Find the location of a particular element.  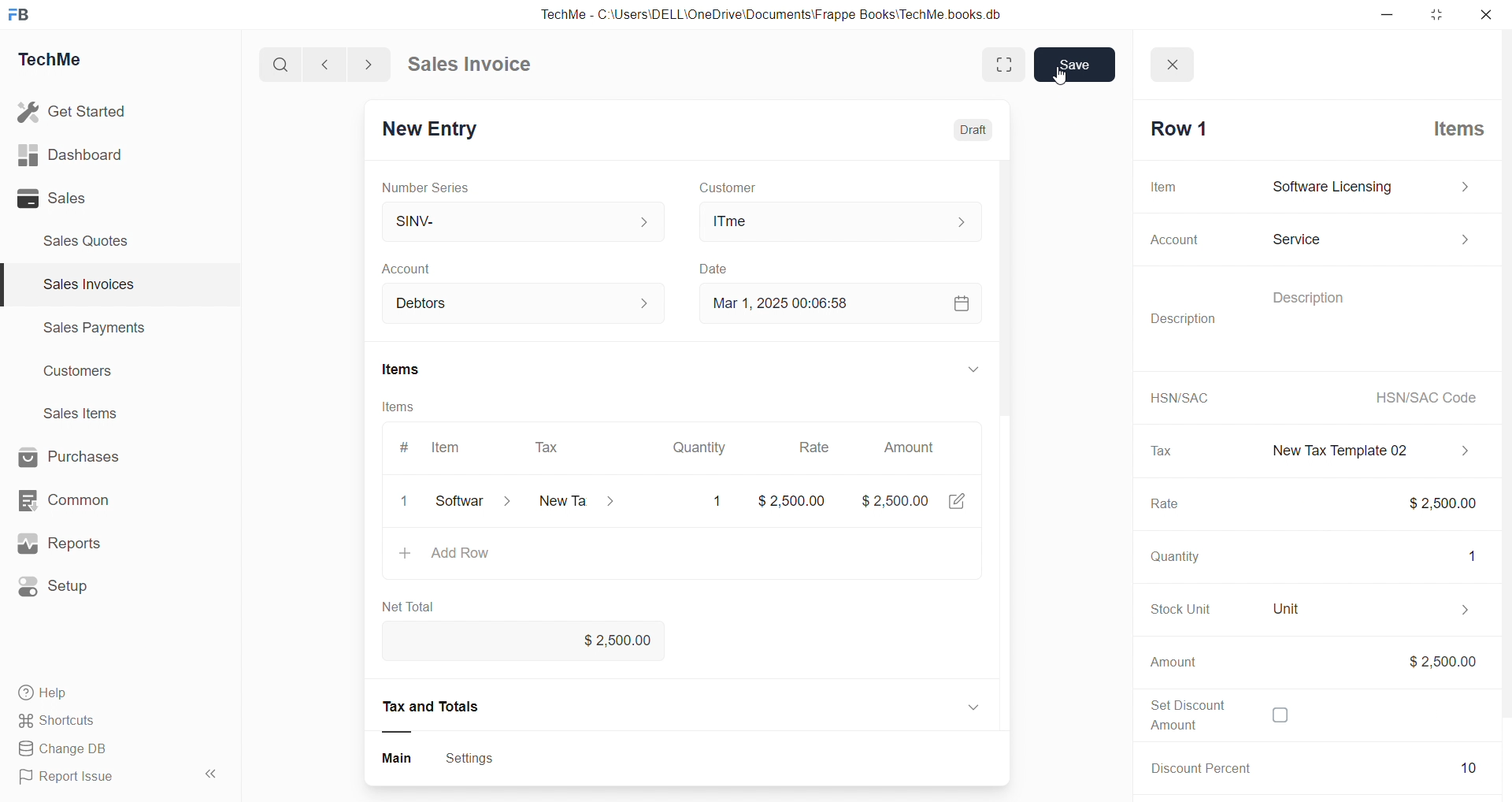

$2,500.00 is located at coordinates (795, 500).